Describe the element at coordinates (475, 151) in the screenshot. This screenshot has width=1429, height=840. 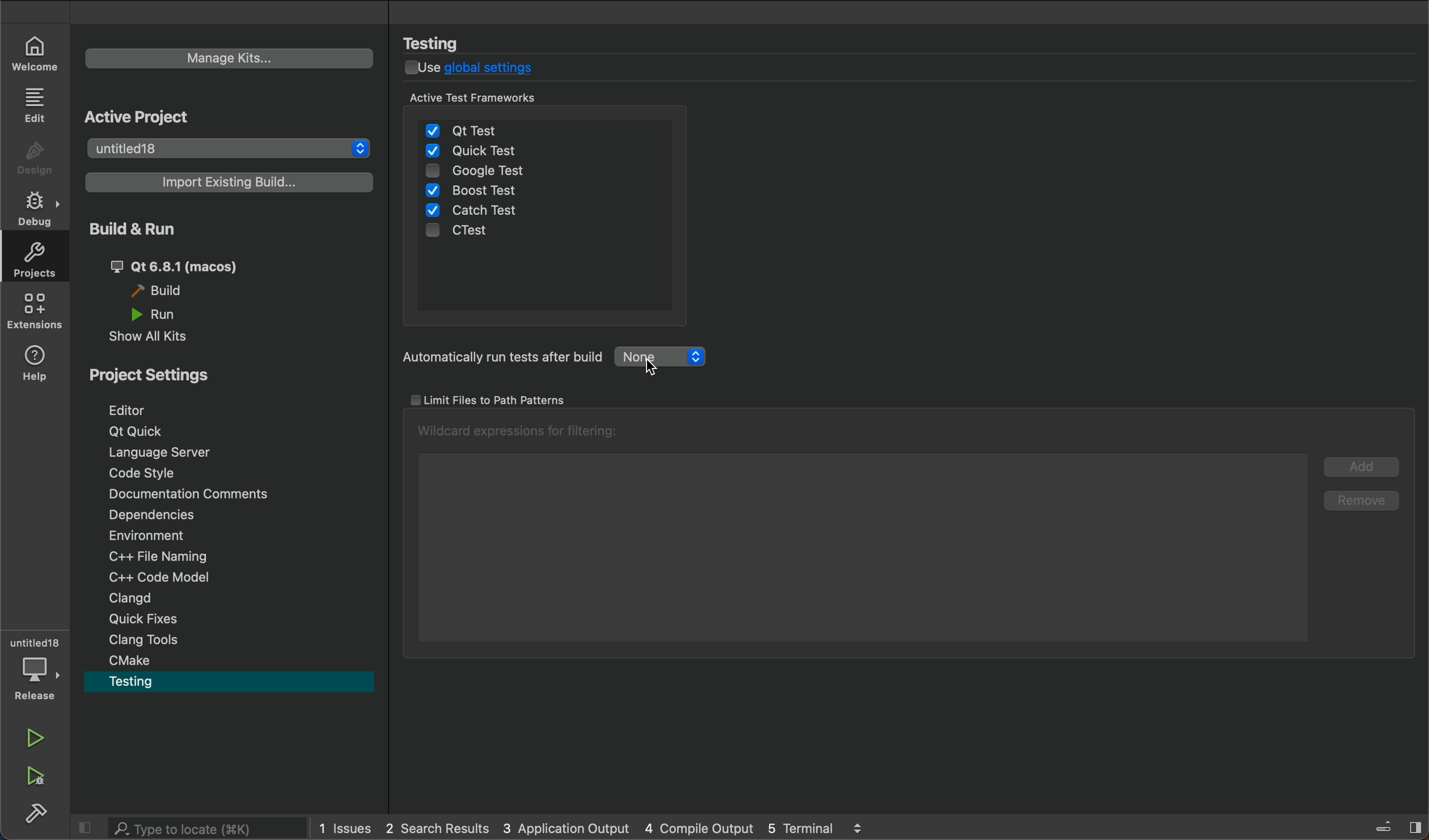
I see `quick test` at that location.